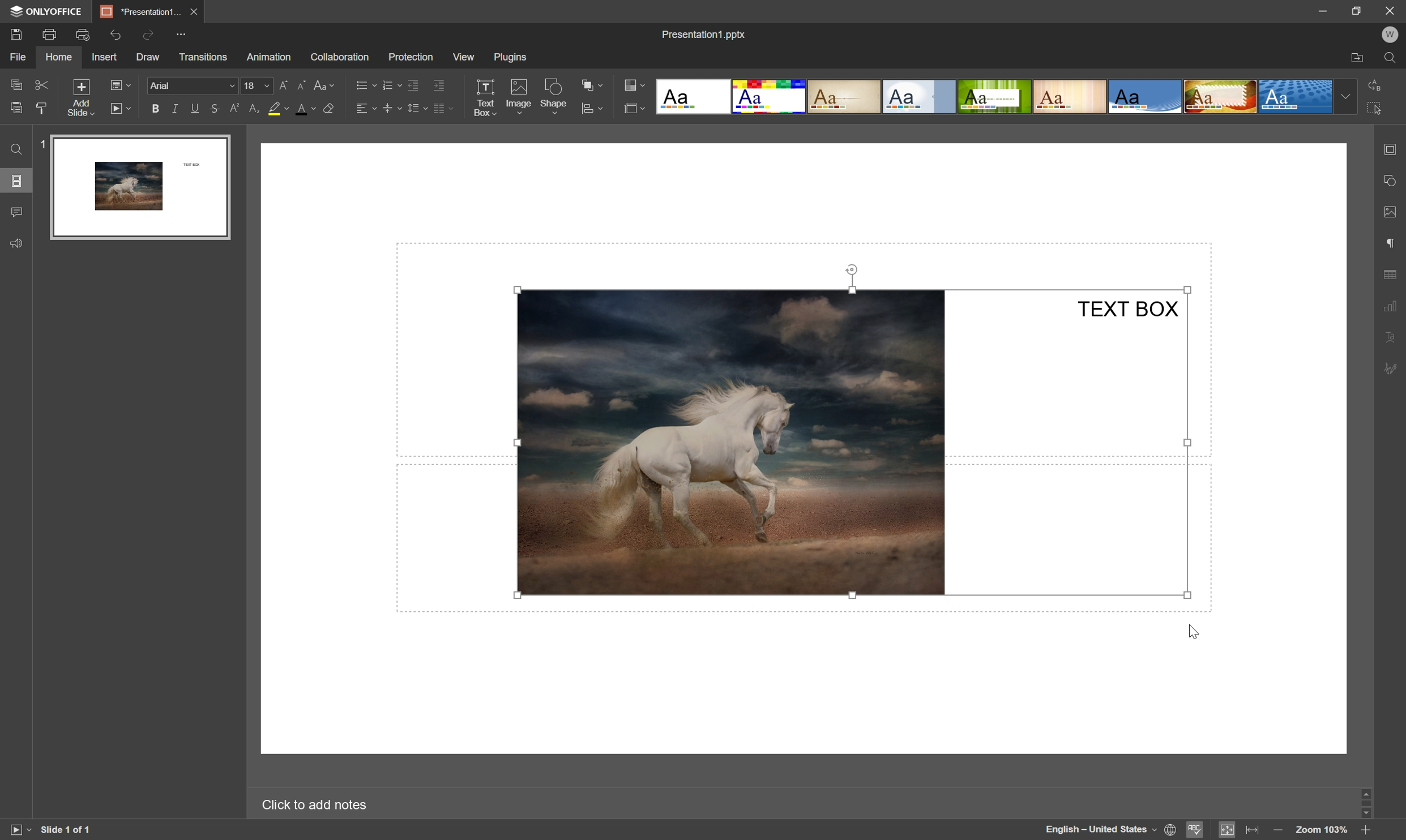 This screenshot has height=840, width=1406. I want to click on Safari, so click(1221, 98).